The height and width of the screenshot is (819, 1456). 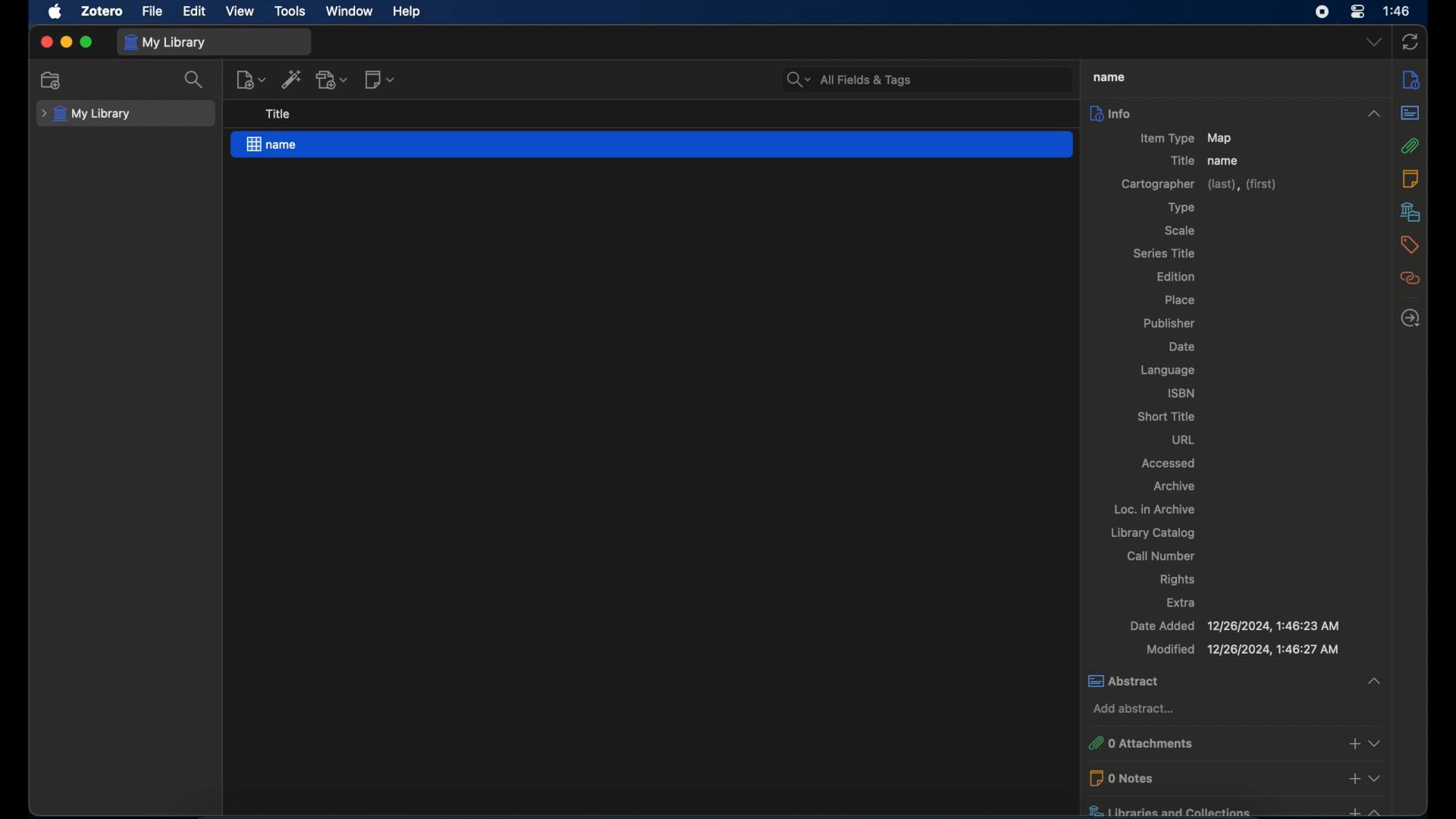 What do you see at coordinates (1156, 509) in the screenshot?
I see `loc. in archive` at bounding box center [1156, 509].